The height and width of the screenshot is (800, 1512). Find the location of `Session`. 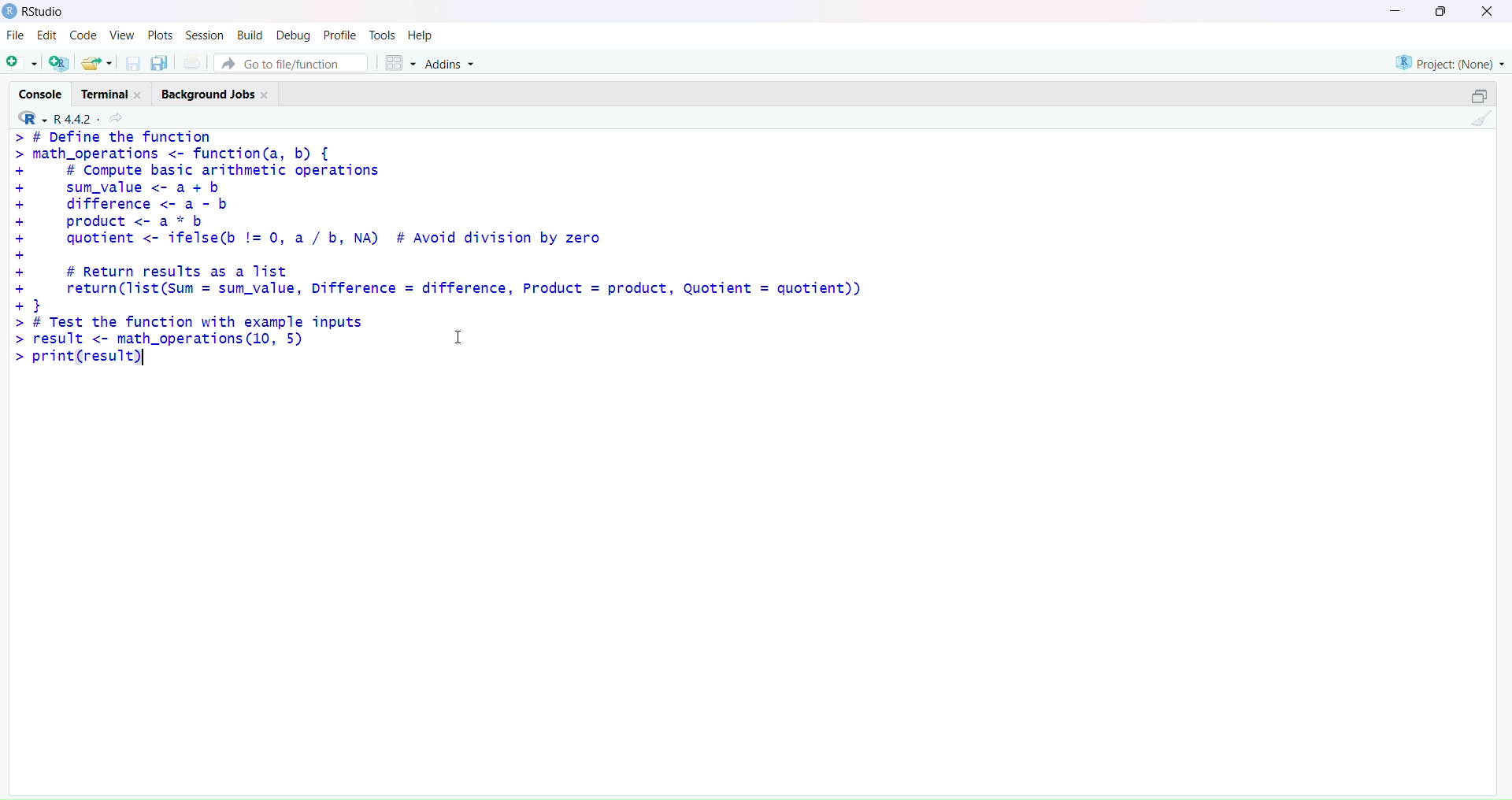

Session is located at coordinates (202, 32).